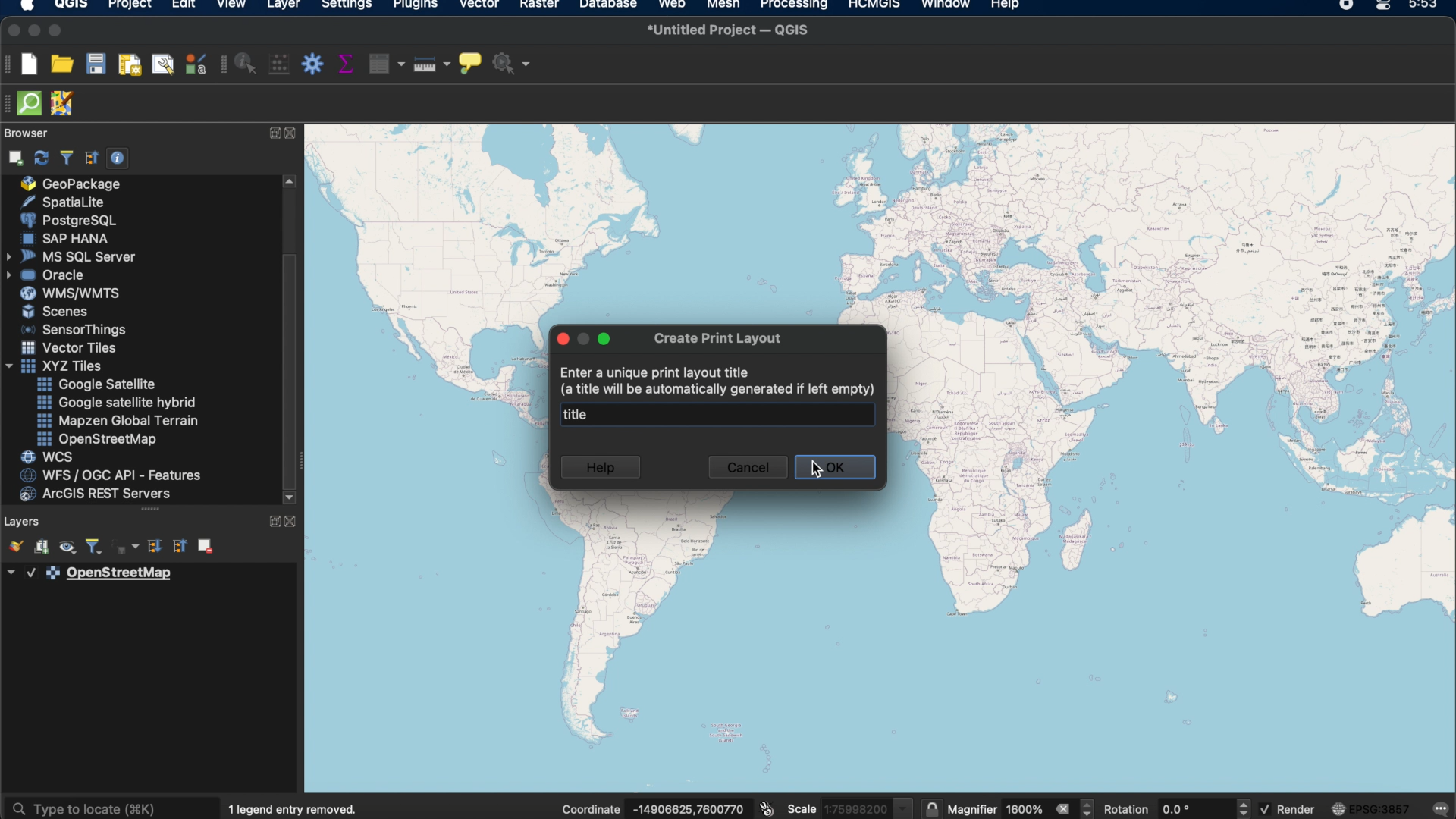  I want to click on qgis, so click(69, 6).